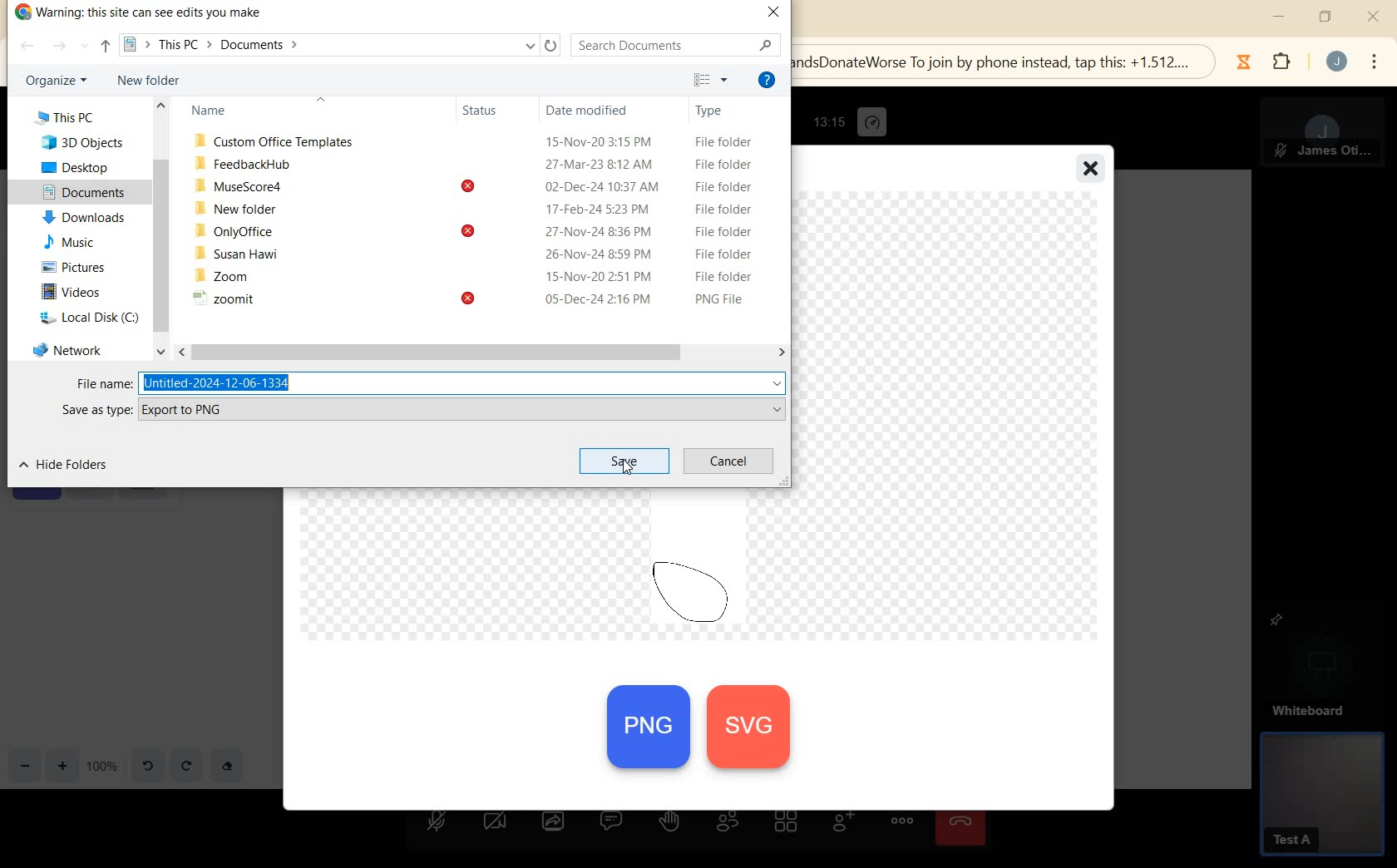 Image resolution: width=1397 pixels, height=868 pixels. What do you see at coordinates (69, 243) in the screenshot?
I see `music` at bounding box center [69, 243].